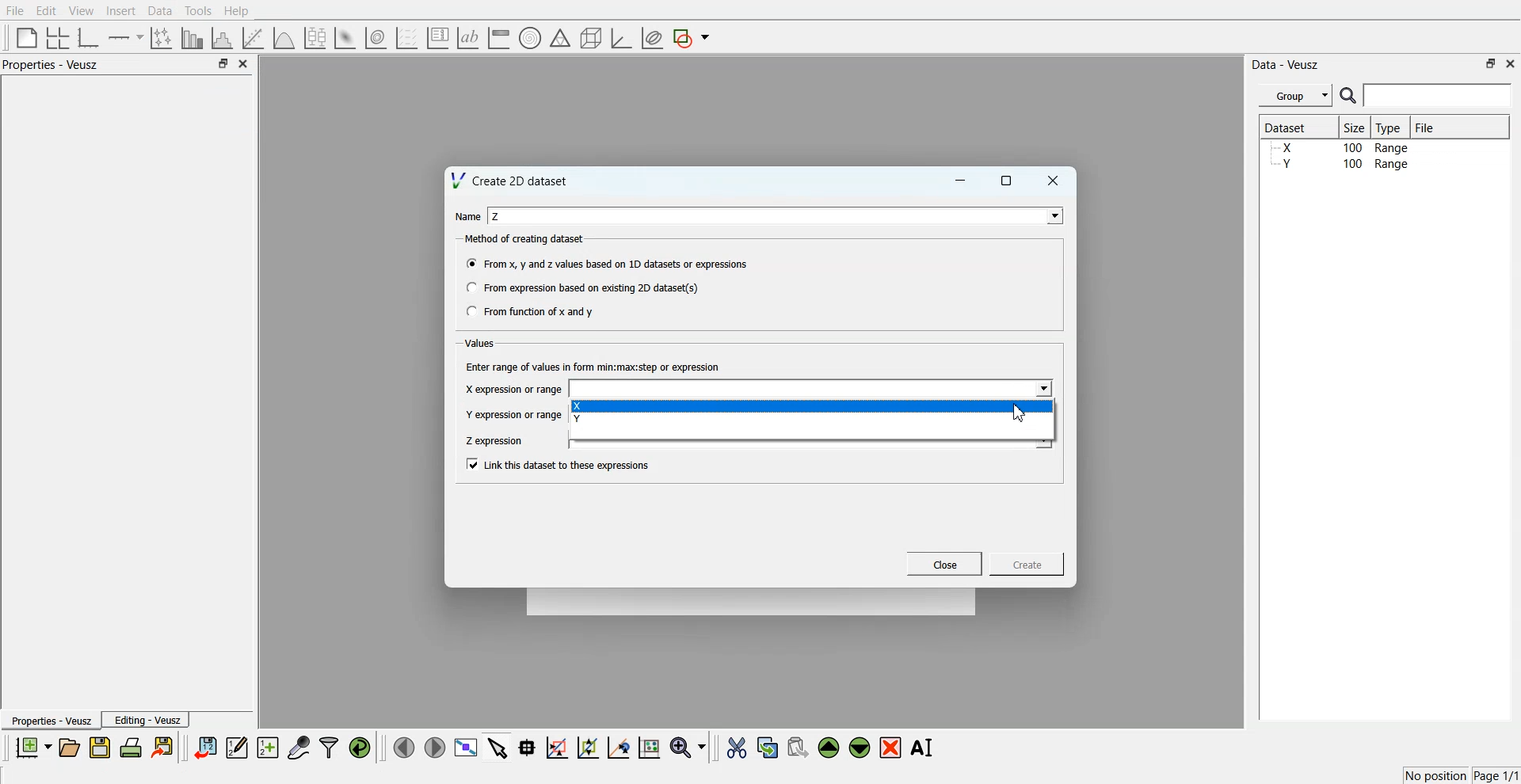 The width and height of the screenshot is (1521, 784). I want to click on Capture remote data, so click(299, 747).